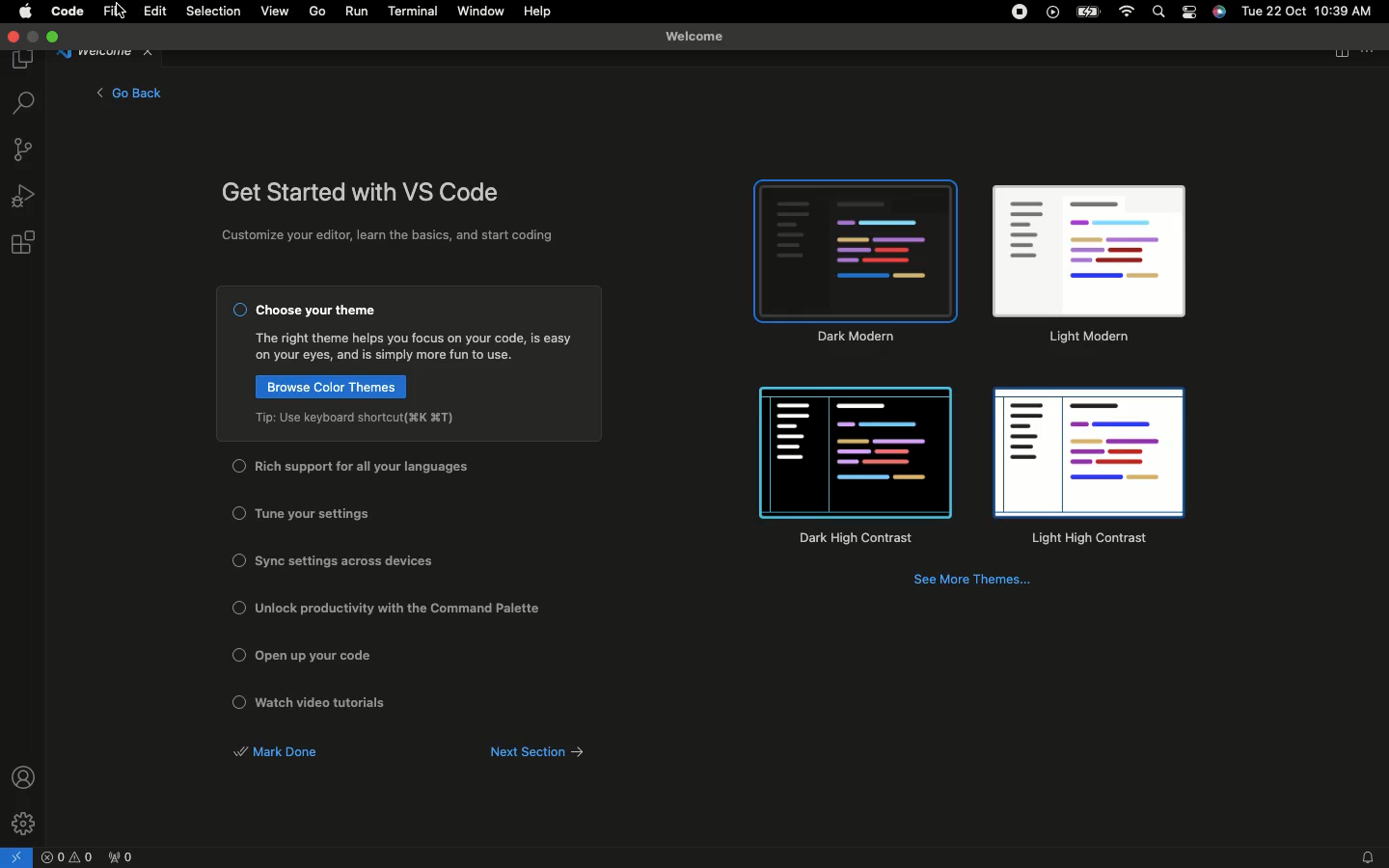  Describe the element at coordinates (1128, 14) in the screenshot. I see `Internet` at that location.